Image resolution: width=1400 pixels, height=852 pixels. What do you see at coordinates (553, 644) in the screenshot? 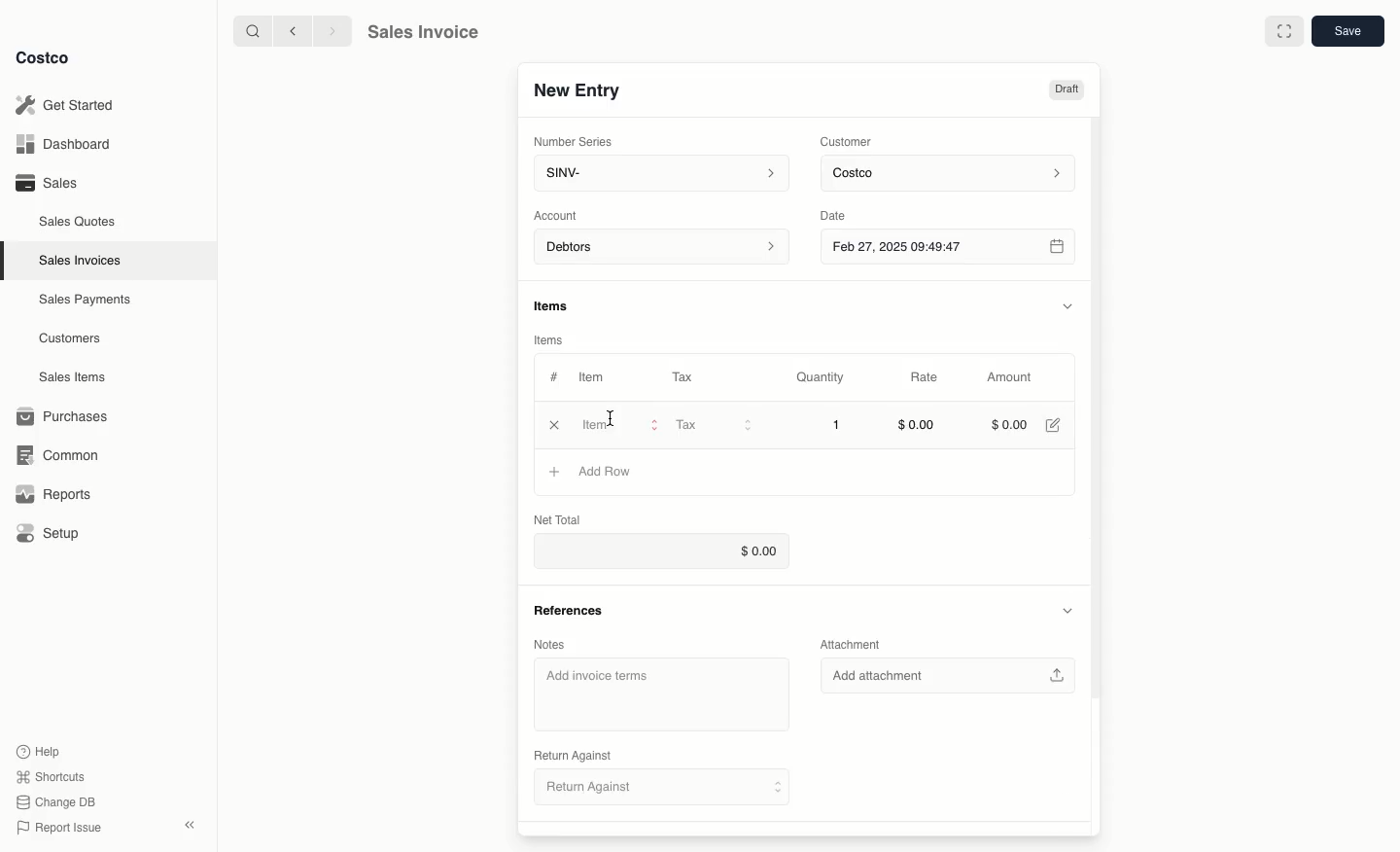
I see `Notes` at bounding box center [553, 644].